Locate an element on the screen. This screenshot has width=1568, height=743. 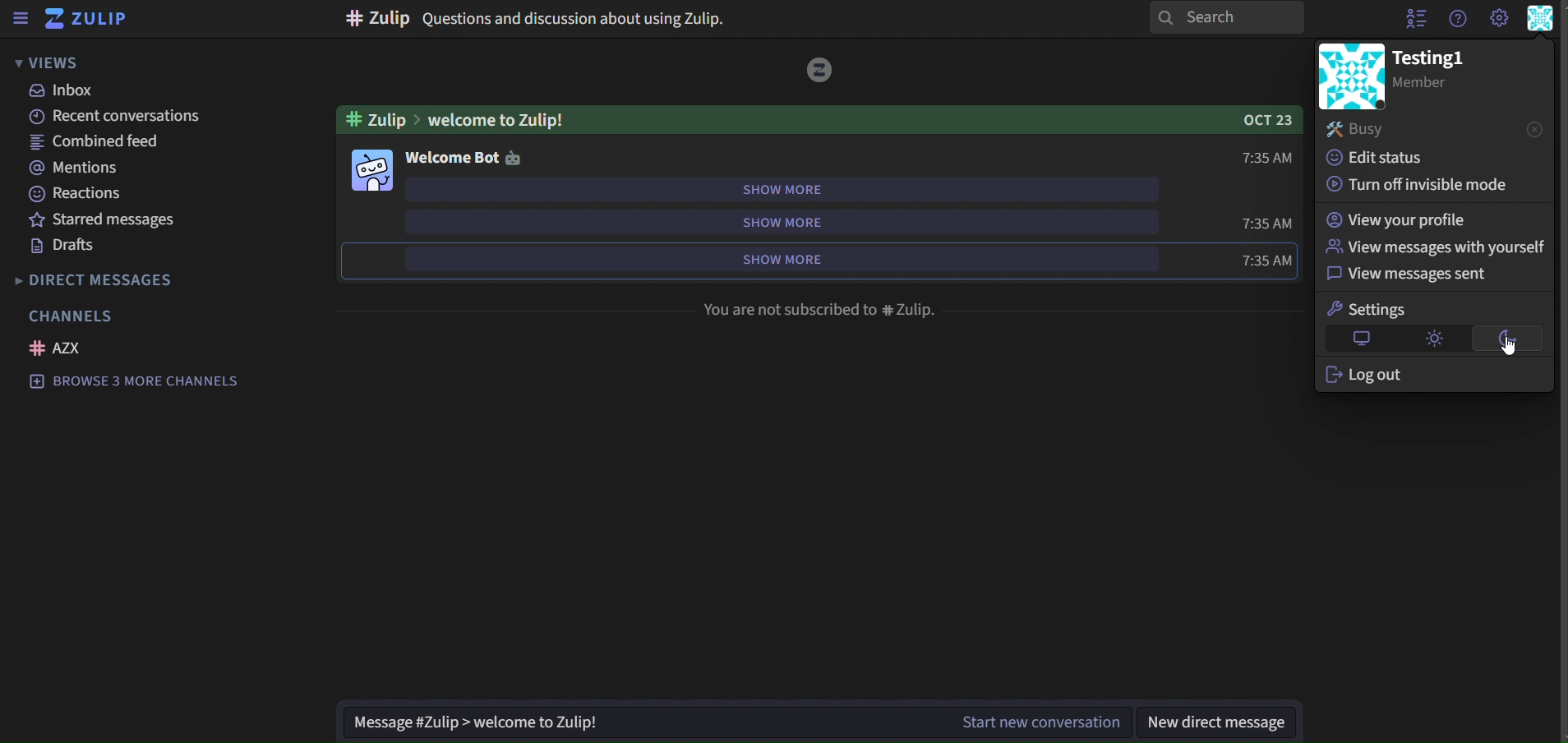
view your profile is located at coordinates (1402, 219).